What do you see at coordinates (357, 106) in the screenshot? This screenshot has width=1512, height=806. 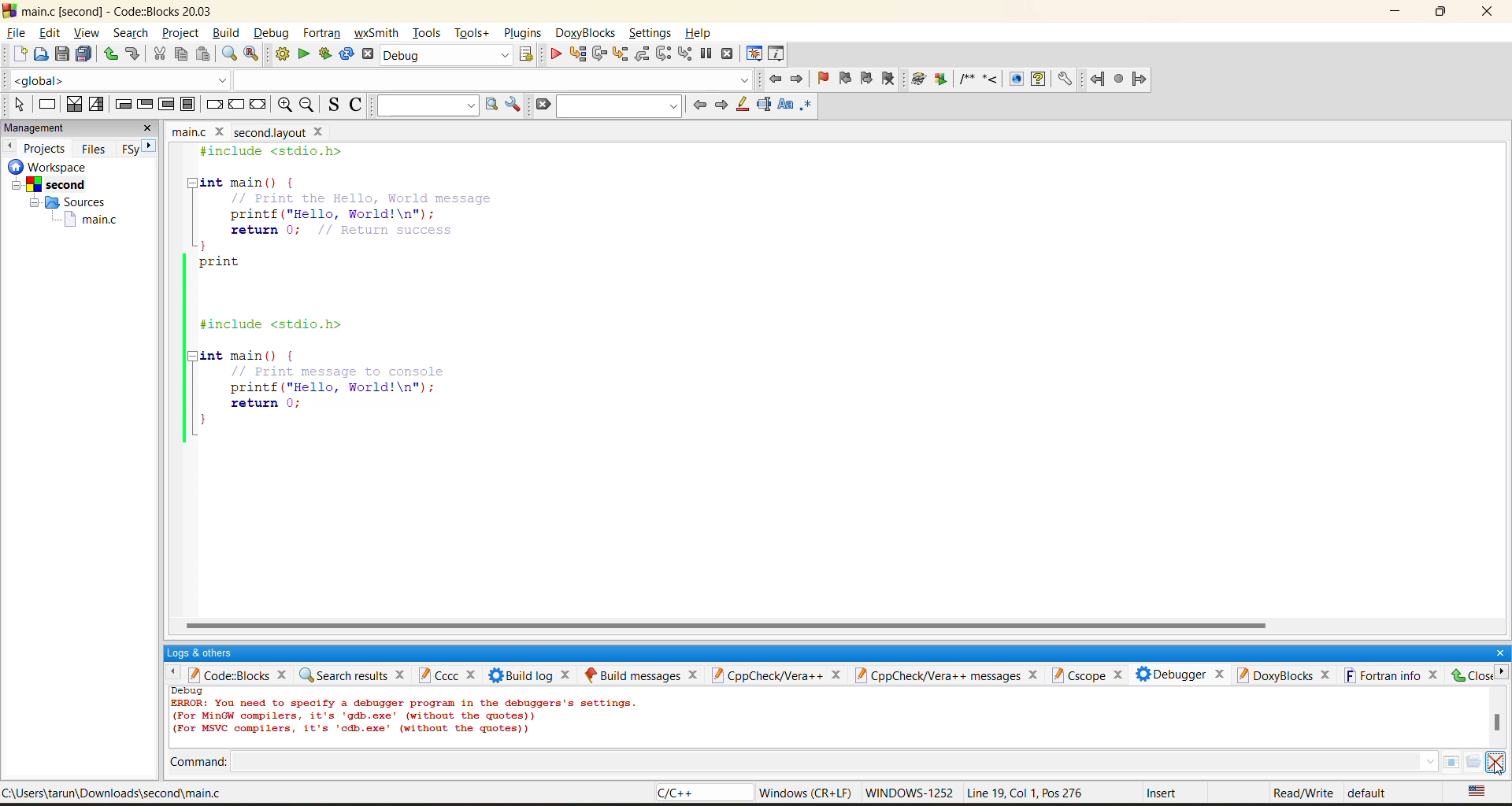 I see `toggle comments` at bounding box center [357, 106].